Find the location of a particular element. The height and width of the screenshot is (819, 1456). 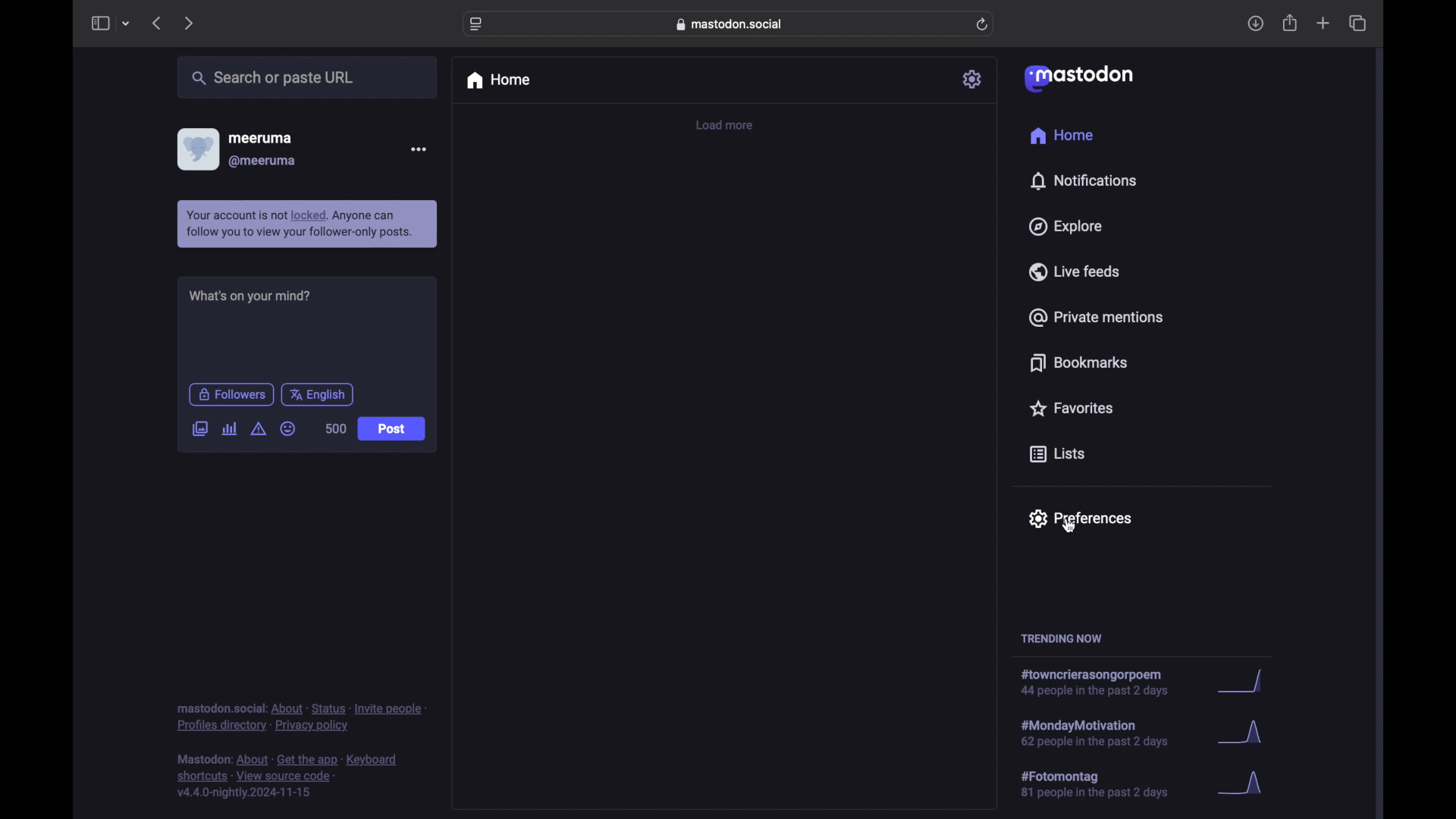

trending now is located at coordinates (1062, 638).